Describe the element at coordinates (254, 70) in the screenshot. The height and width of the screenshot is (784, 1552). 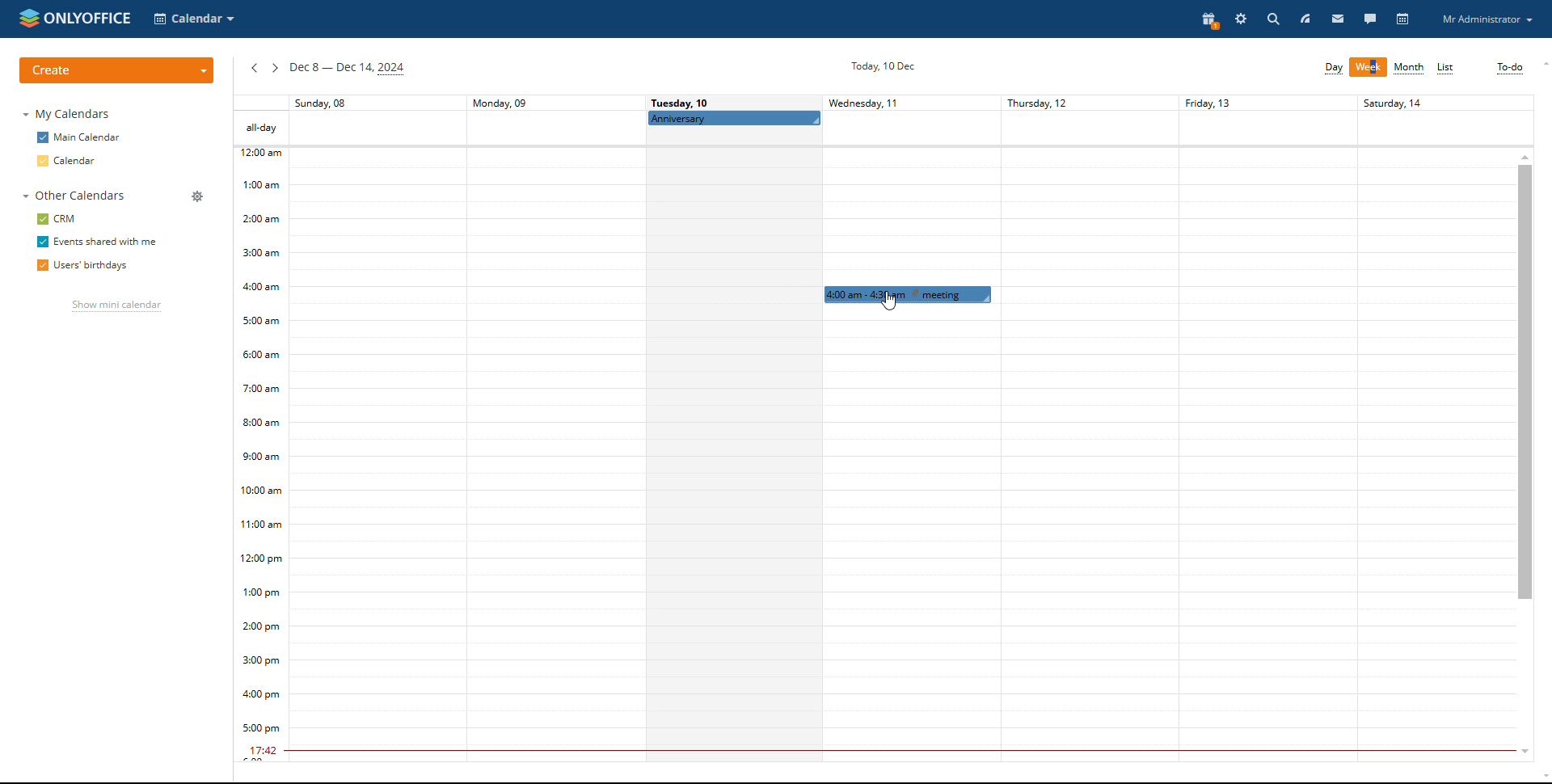
I see `previous week` at that location.